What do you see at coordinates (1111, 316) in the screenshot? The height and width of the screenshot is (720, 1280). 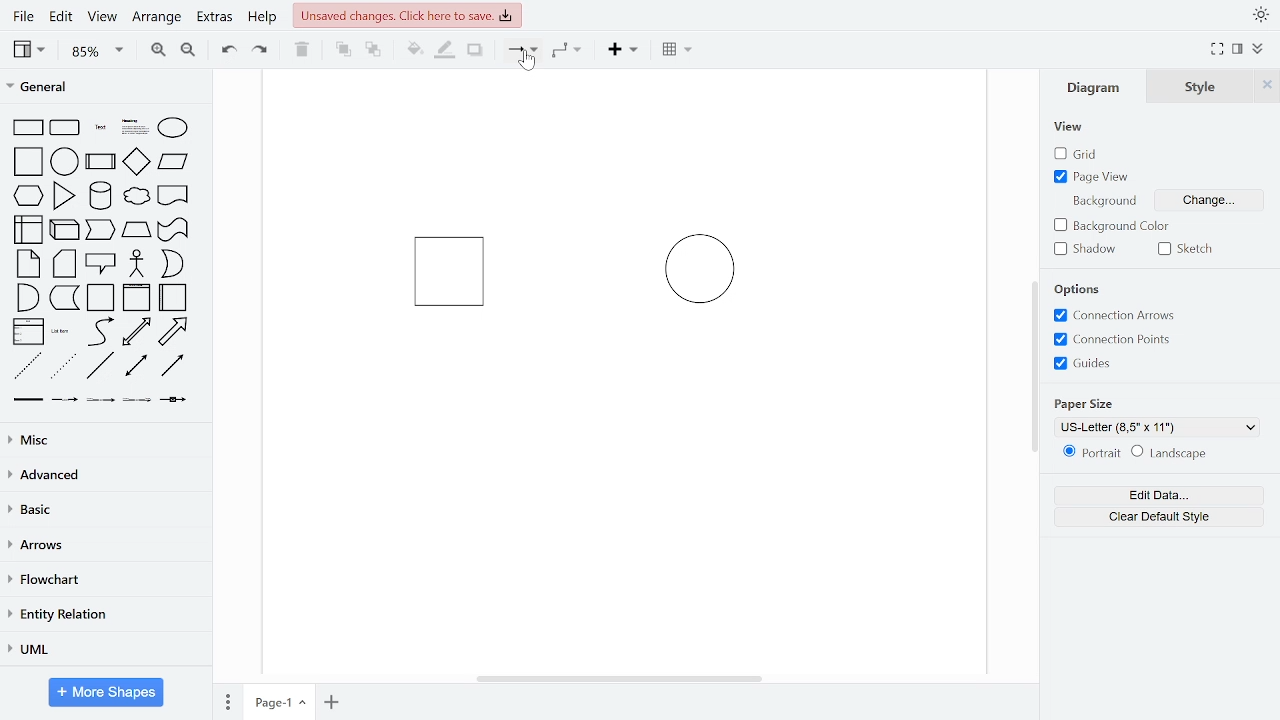 I see `connection arrows` at bounding box center [1111, 316].